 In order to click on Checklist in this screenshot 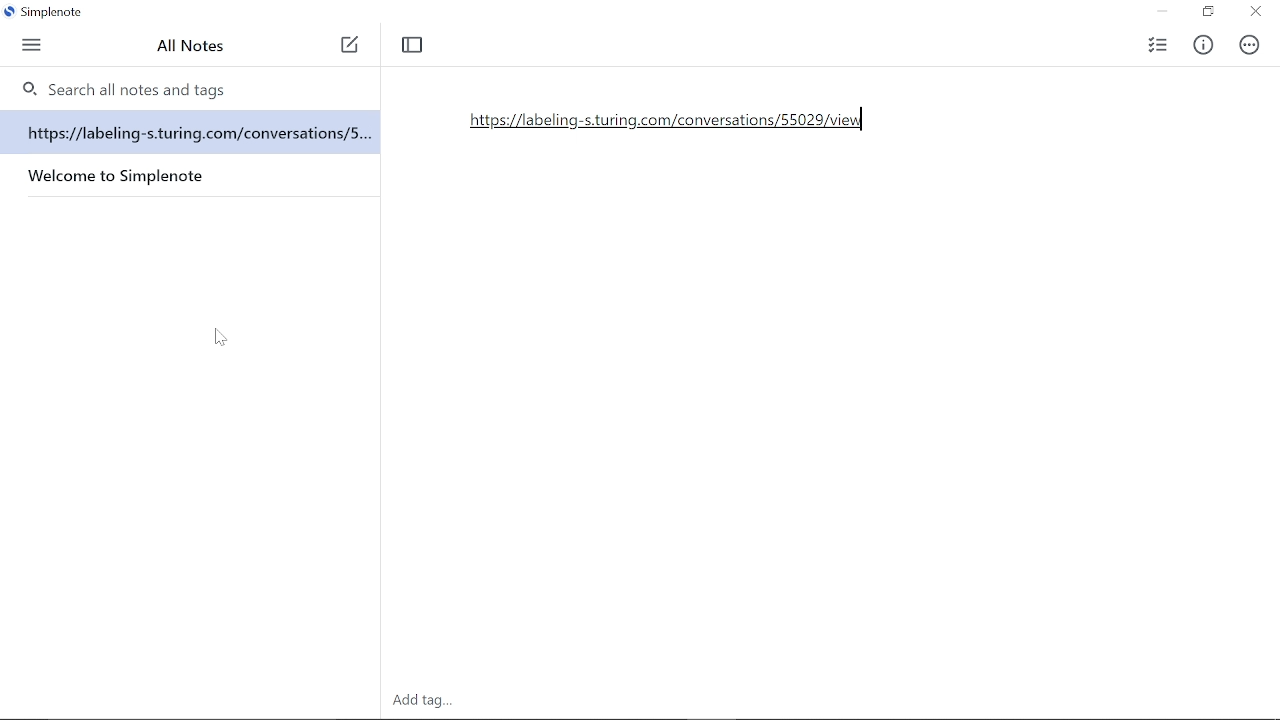, I will do `click(1157, 47)`.